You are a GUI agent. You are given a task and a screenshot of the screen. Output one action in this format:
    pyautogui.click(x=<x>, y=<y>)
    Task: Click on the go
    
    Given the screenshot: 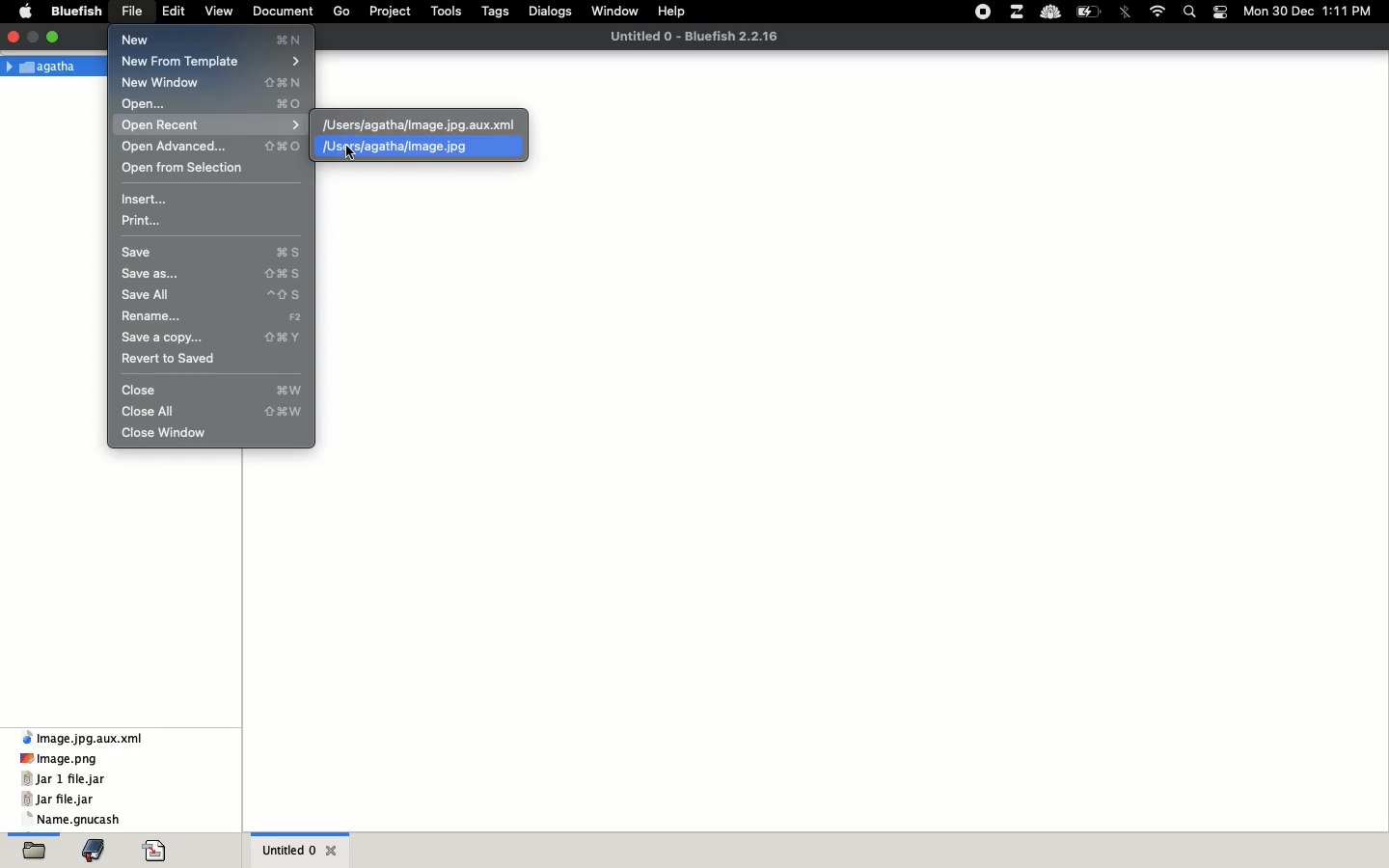 What is the action you would take?
    pyautogui.click(x=344, y=10)
    